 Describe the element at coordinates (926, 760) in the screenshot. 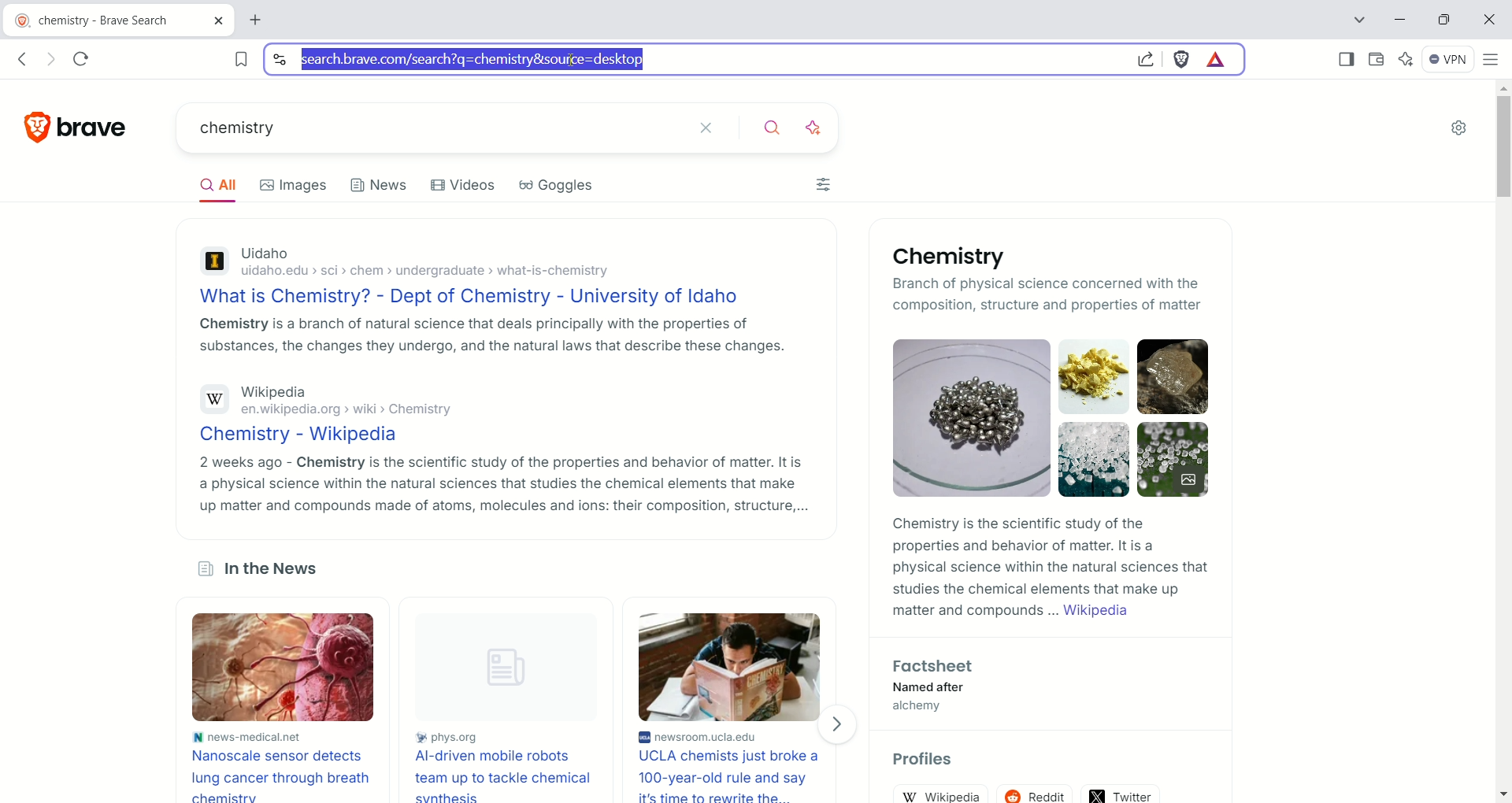

I see `profiles` at that location.